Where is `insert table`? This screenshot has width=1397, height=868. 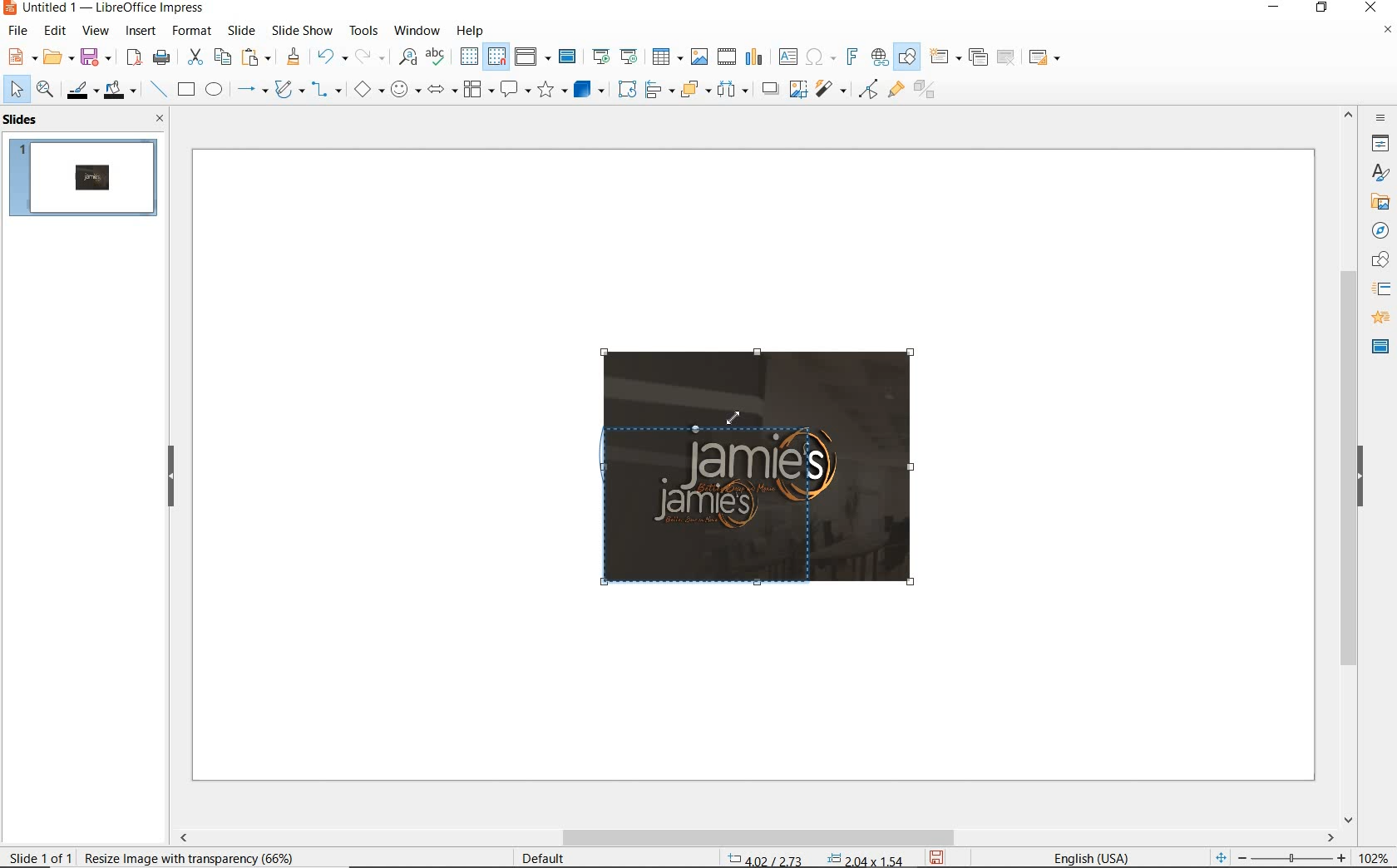
insert table is located at coordinates (665, 57).